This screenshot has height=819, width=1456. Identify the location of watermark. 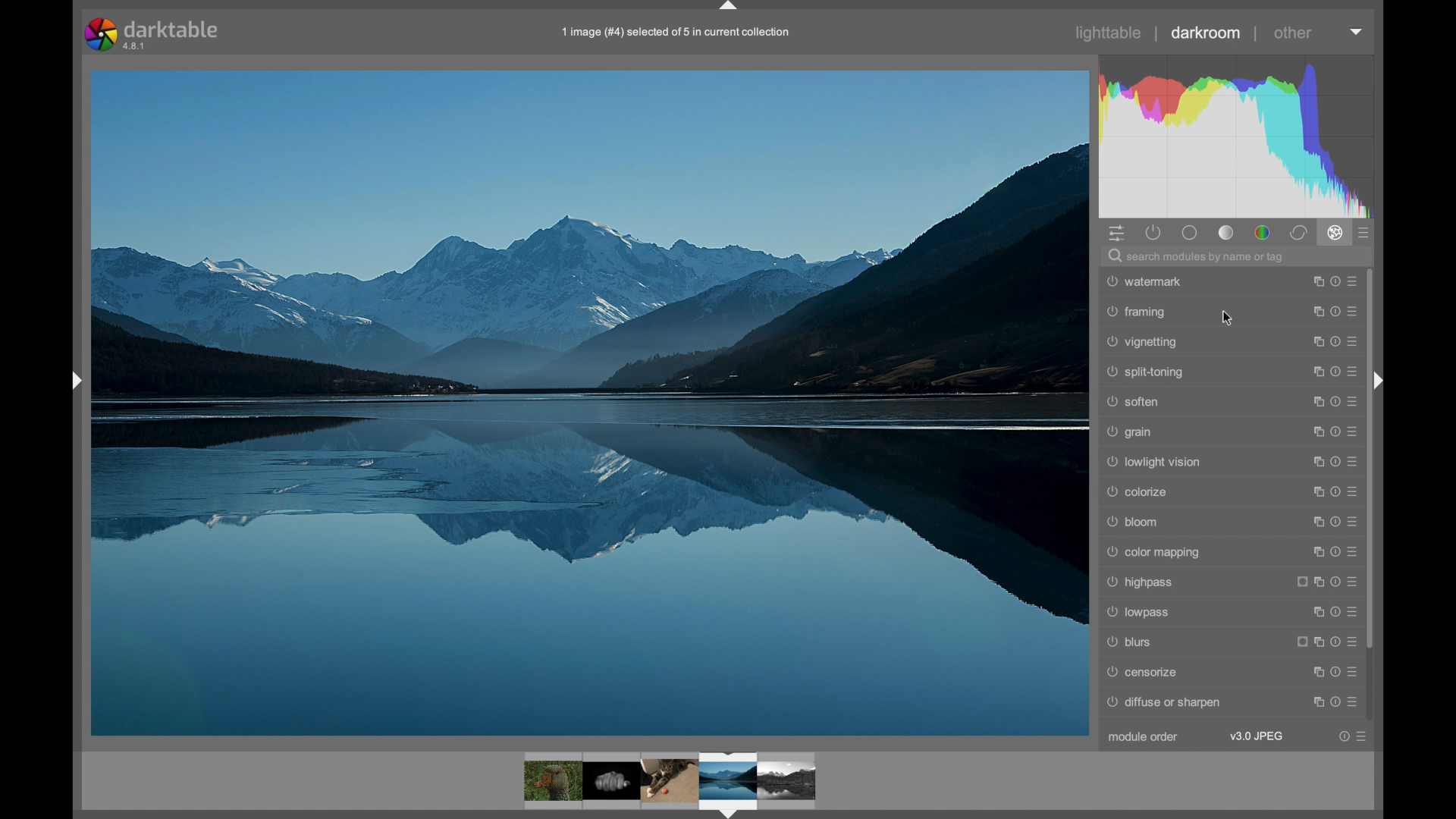
(1145, 281).